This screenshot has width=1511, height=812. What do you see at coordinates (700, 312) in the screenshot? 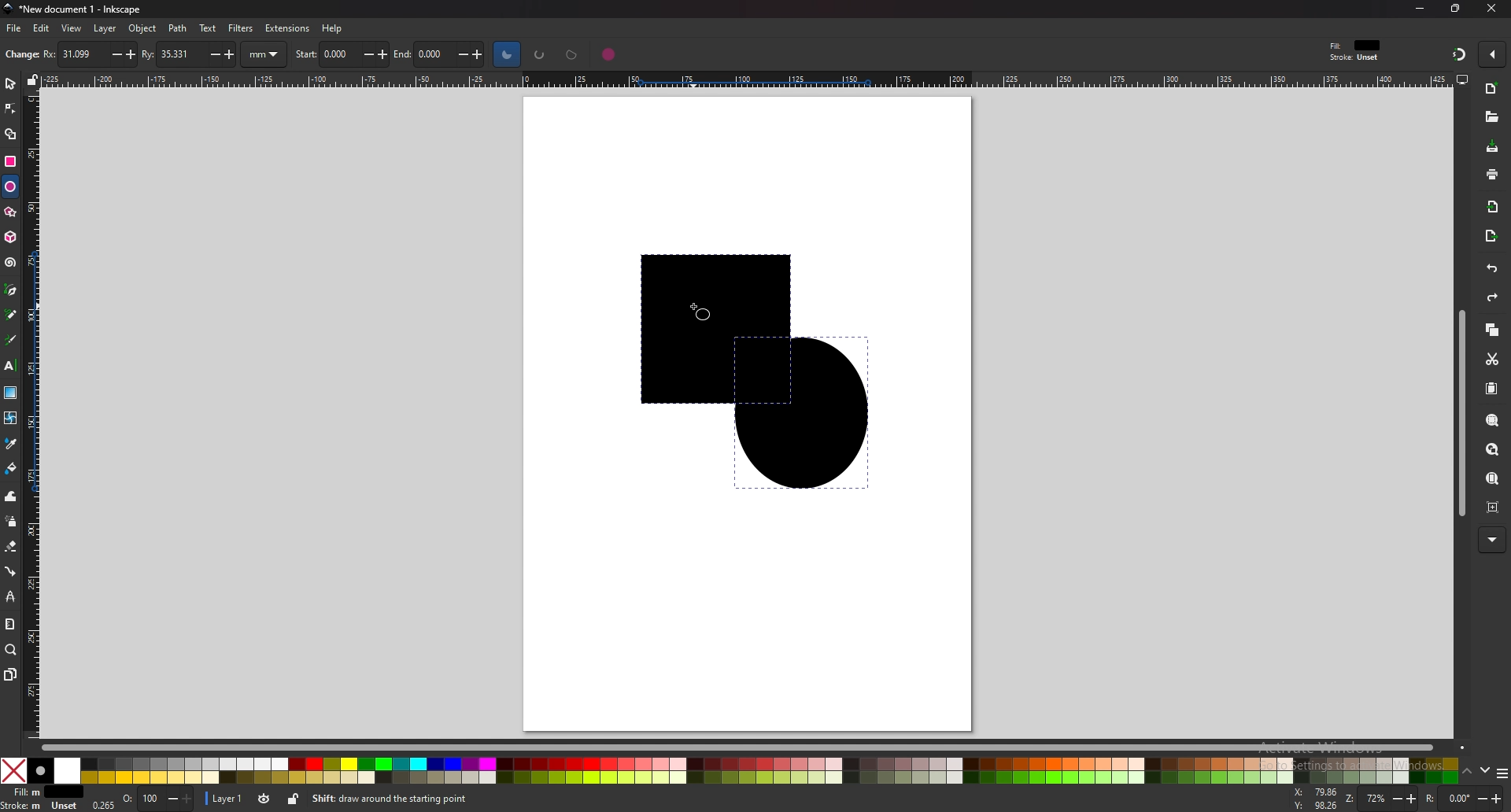
I see `cursor` at bounding box center [700, 312].